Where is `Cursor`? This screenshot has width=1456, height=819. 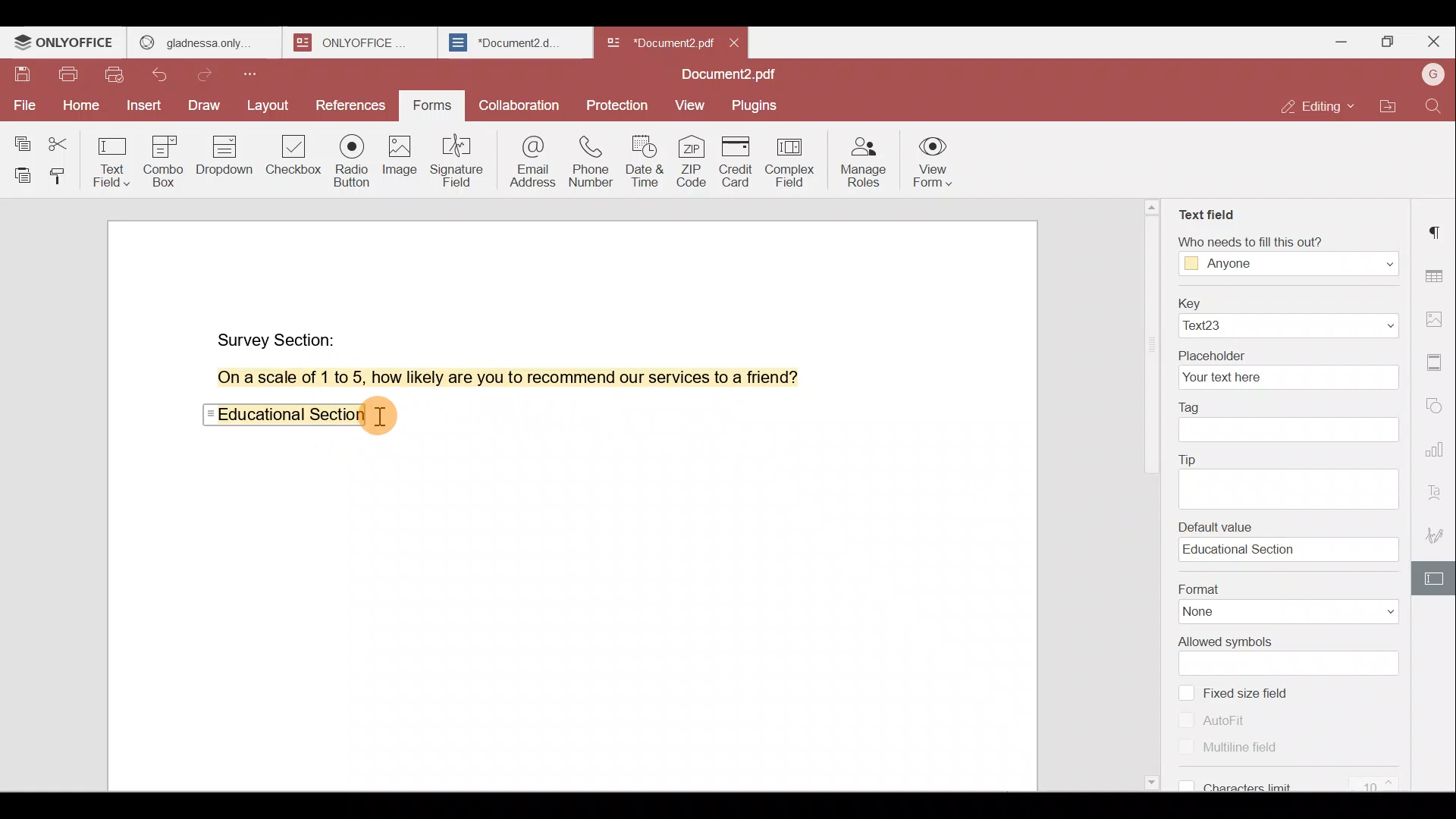 Cursor is located at coordinates (386, 416).